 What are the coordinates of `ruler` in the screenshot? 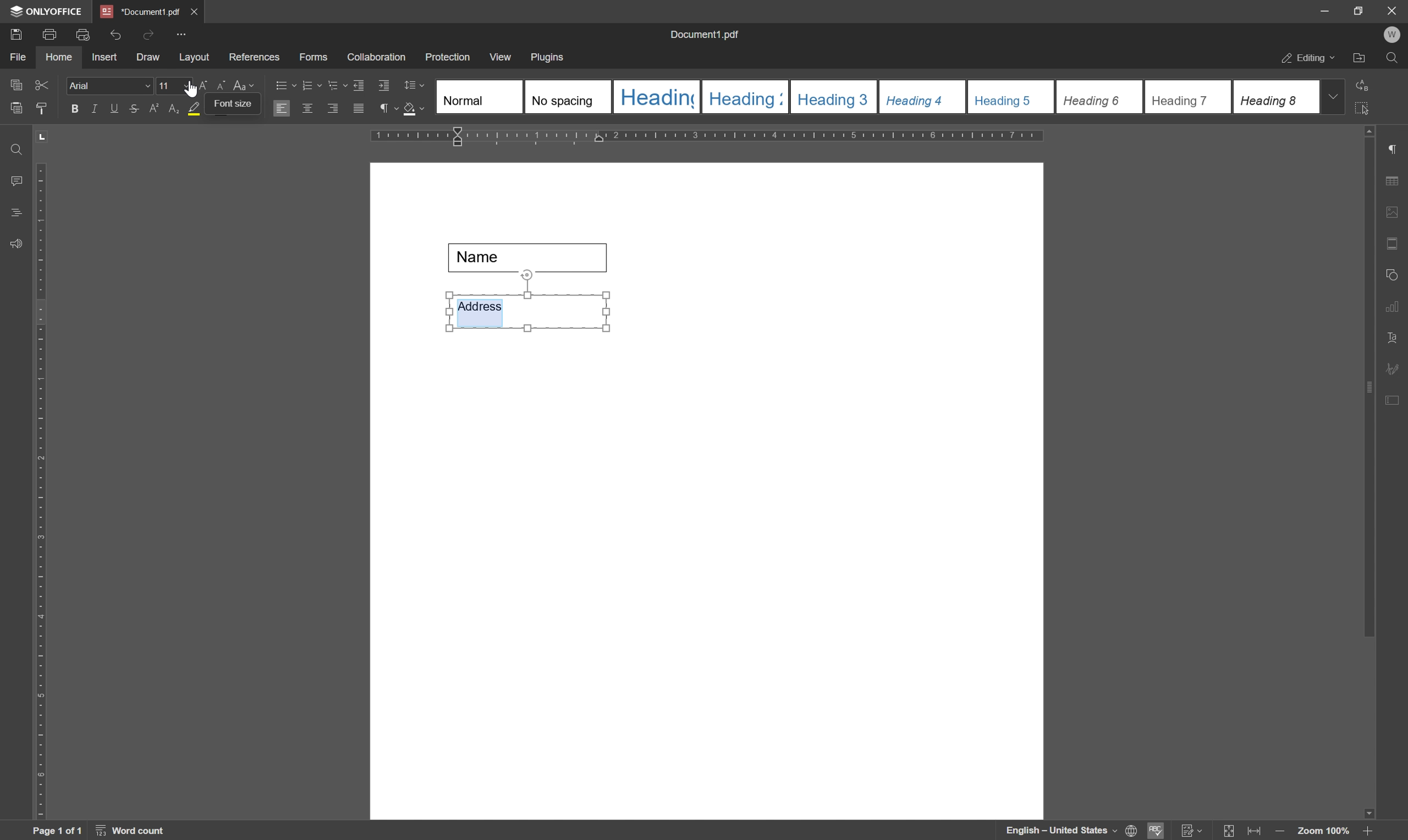 It's located at (712, 137).